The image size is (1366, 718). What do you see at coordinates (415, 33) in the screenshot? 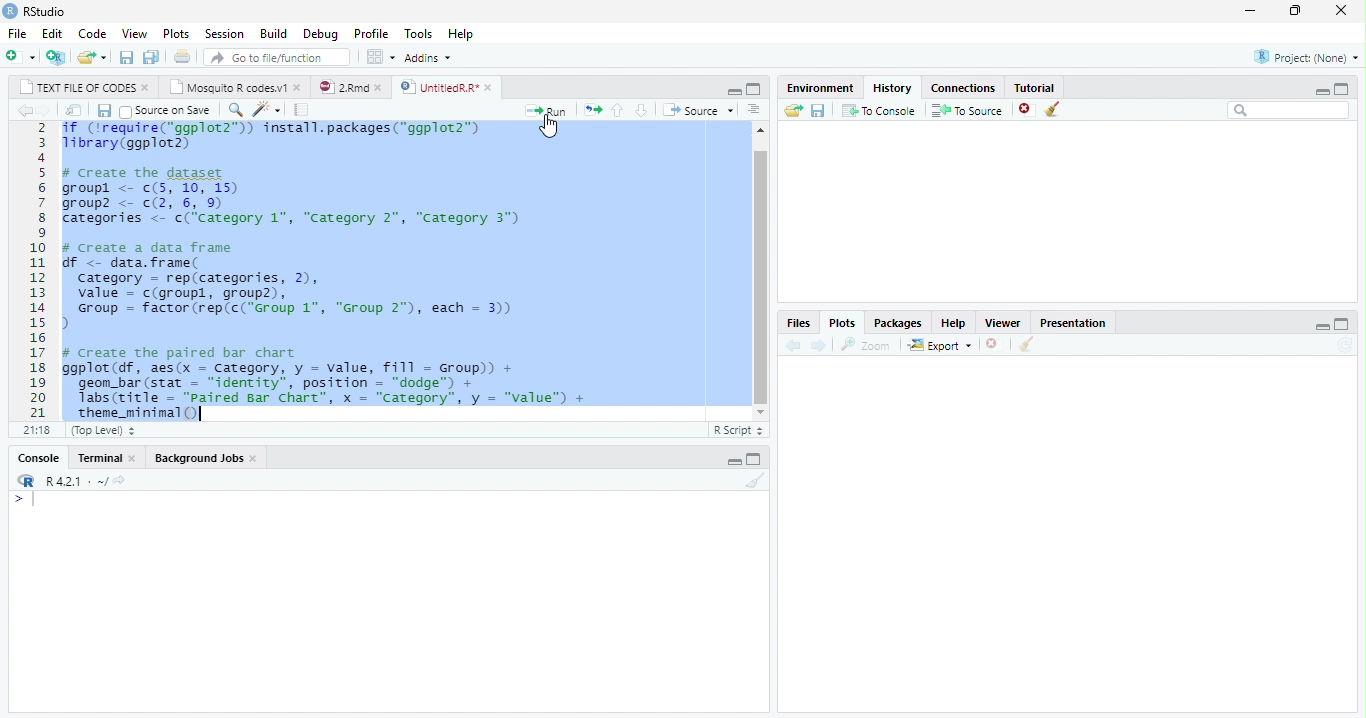
I see `tools` at bounding box center [415, 33].